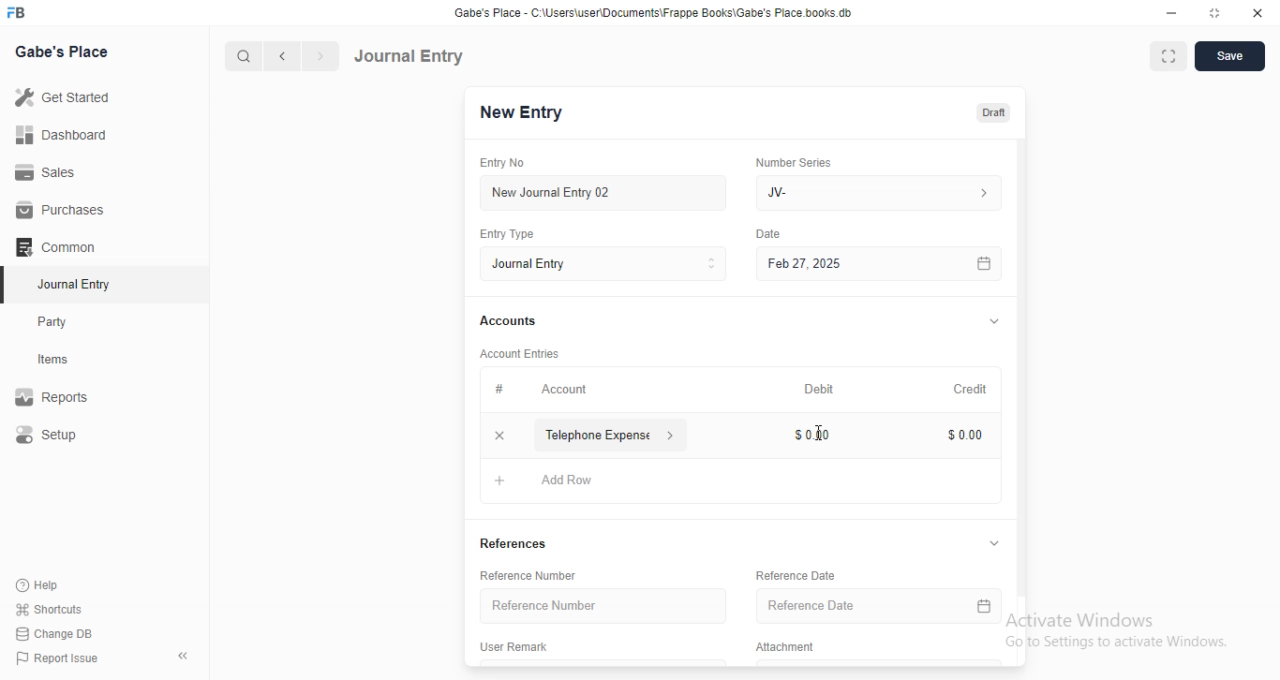 The width and height of the screenshot is (1280, 680). What do you see at coordinates (659, 11) in the screenshot?
I see `‘Gabe's Place - C Wsers\userDocuments\Frappe Books\Gabe's Place books db` at bounding box center [659, 11].